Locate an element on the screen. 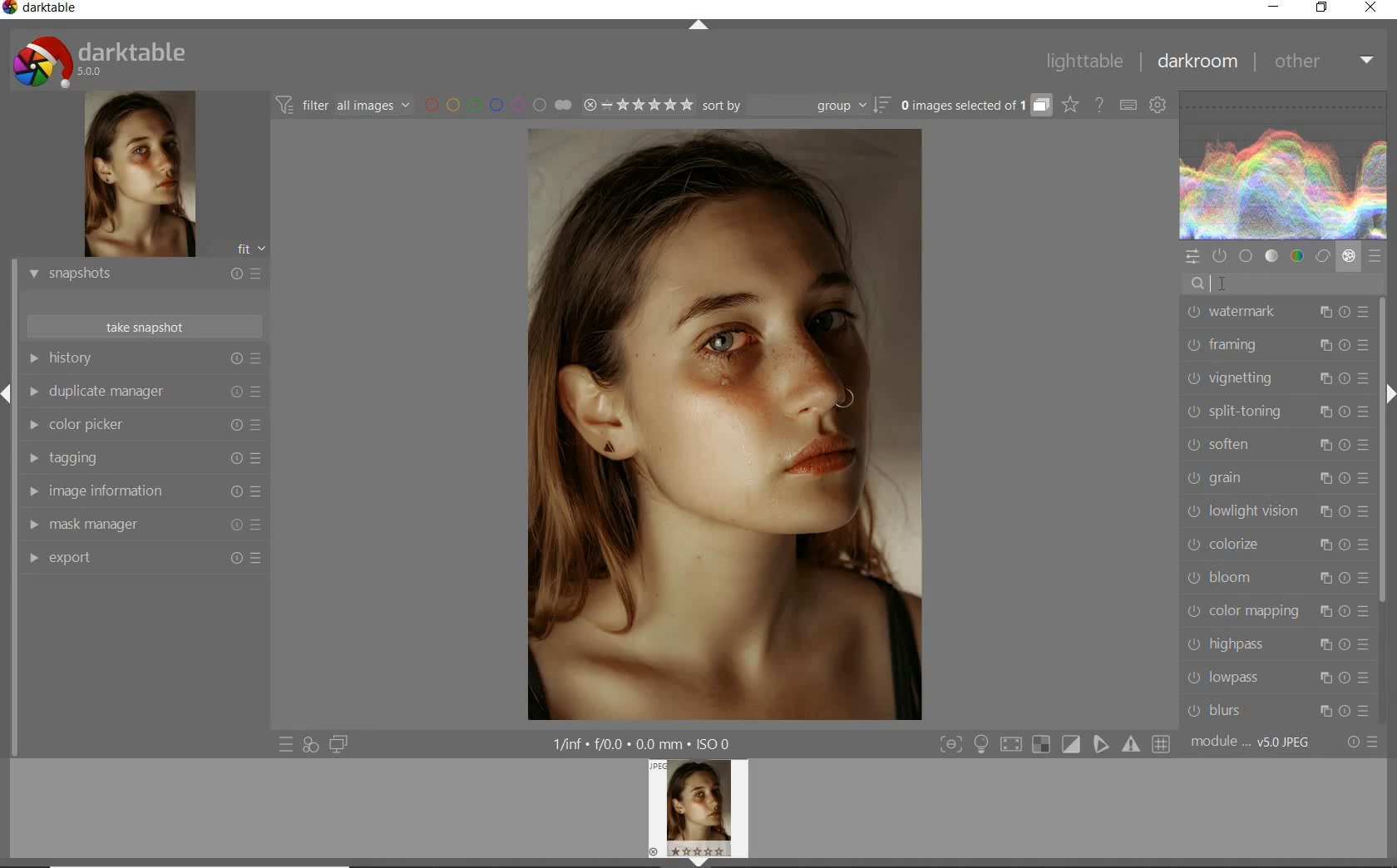 The height and width of the screenshot is (868, 1397). effect is located at coordinates (1348, 256).